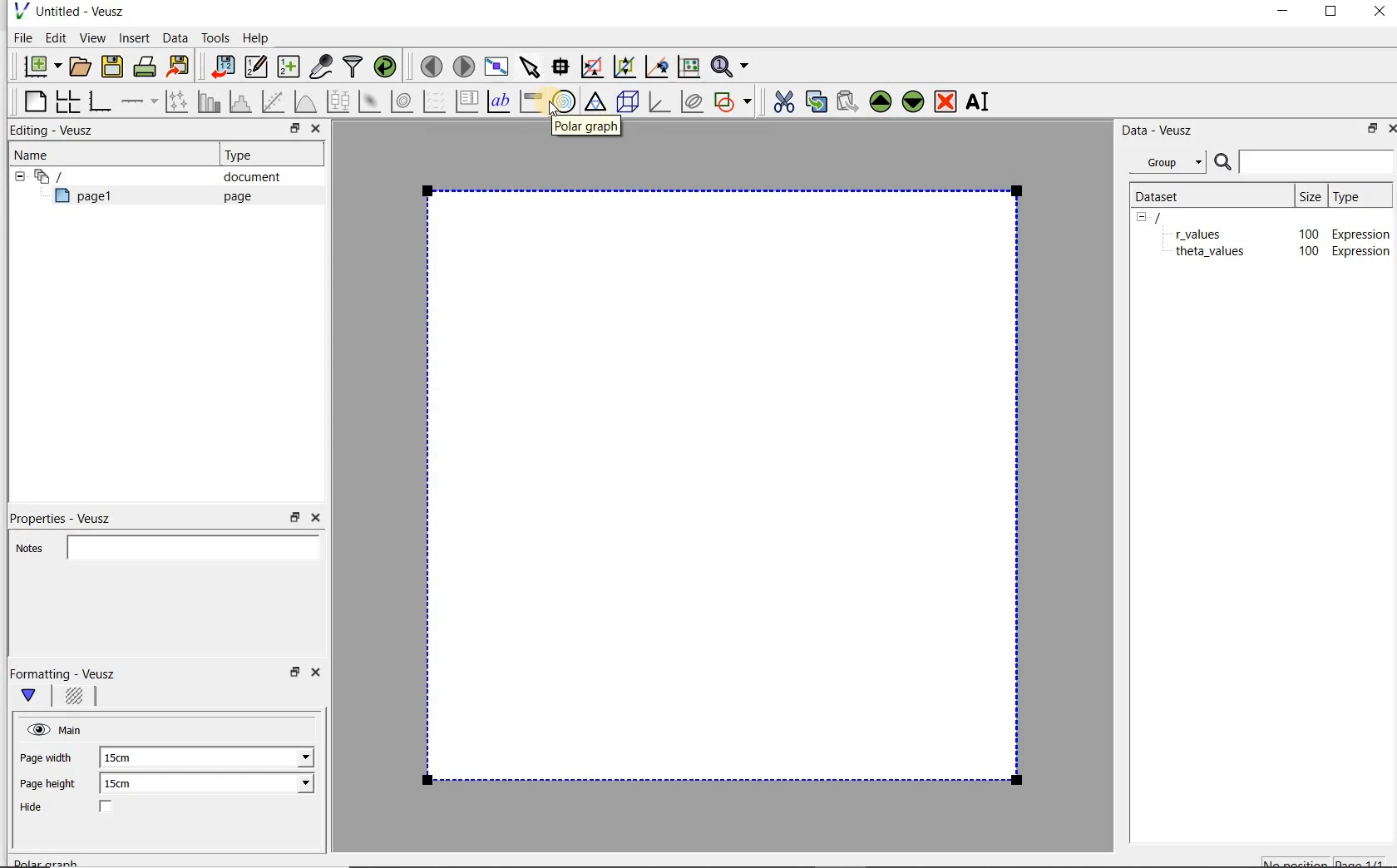 The height and width of the screenshot is (868, 1397). What do you see at coordinates (689, 66) in the screenshot?
I see `click to reset graph axes` at bounding box center [689, 66].